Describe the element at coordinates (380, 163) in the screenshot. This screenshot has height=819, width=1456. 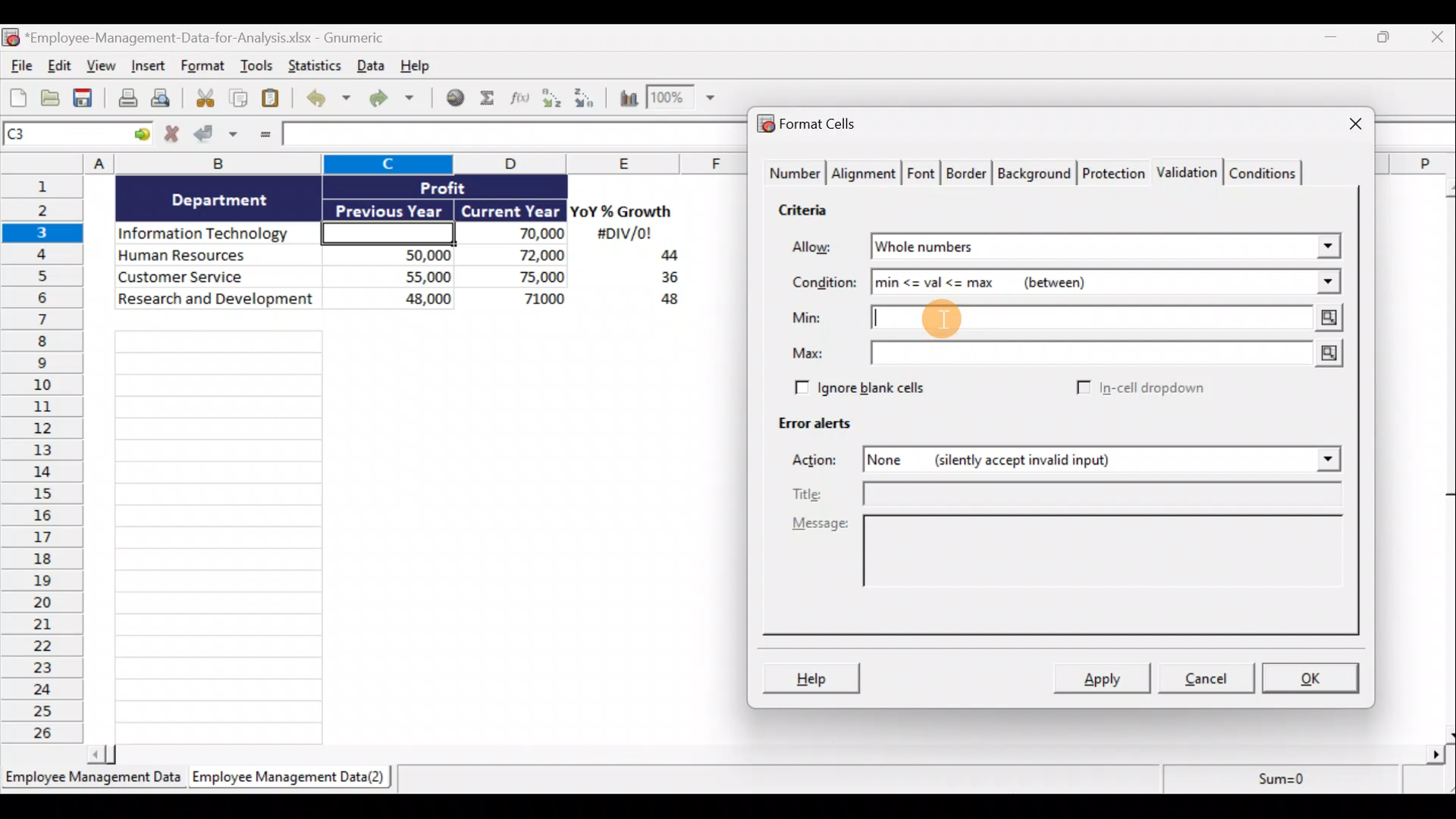
I see `Columns` at that location.